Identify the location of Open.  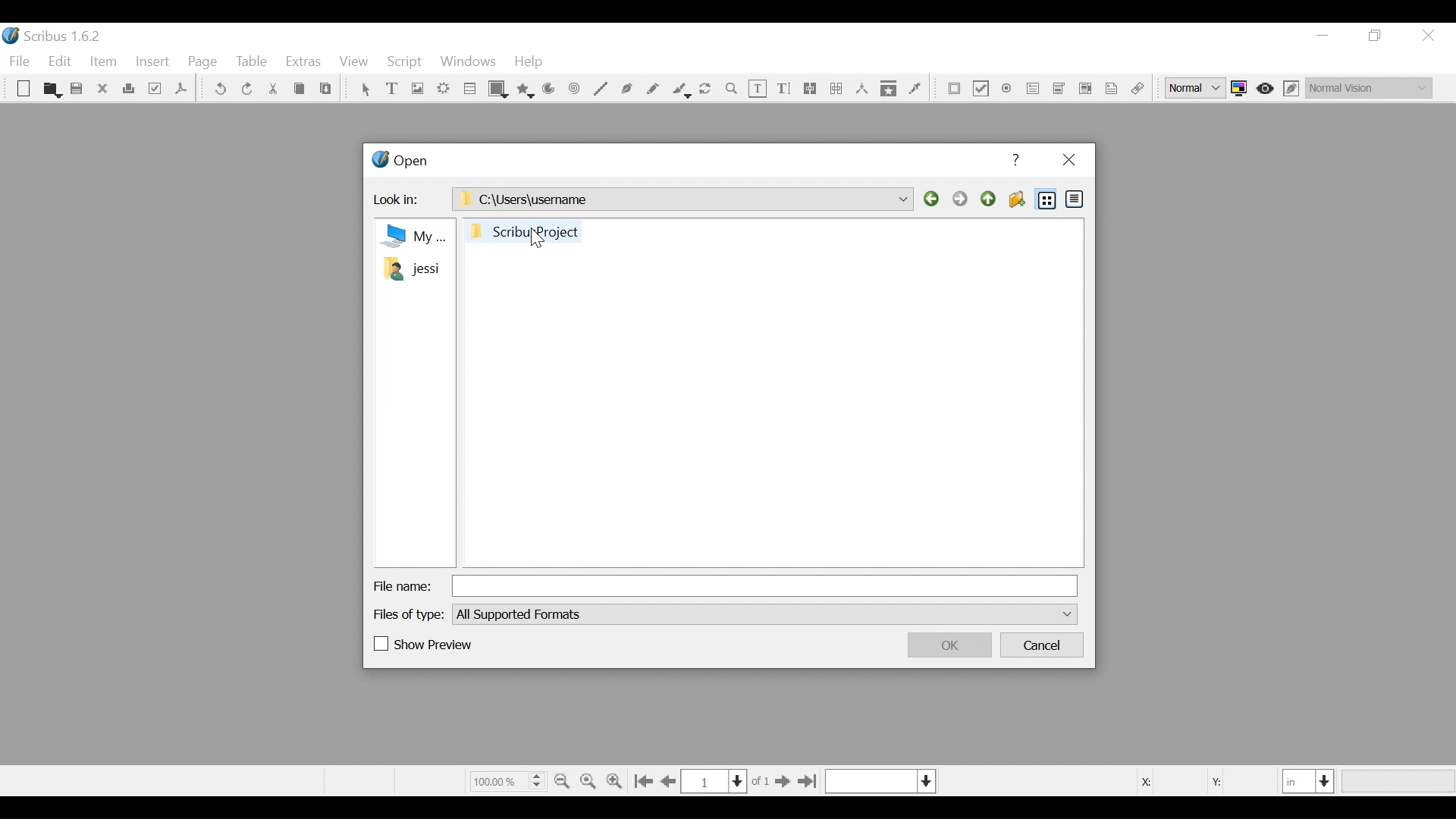
(51, 89).